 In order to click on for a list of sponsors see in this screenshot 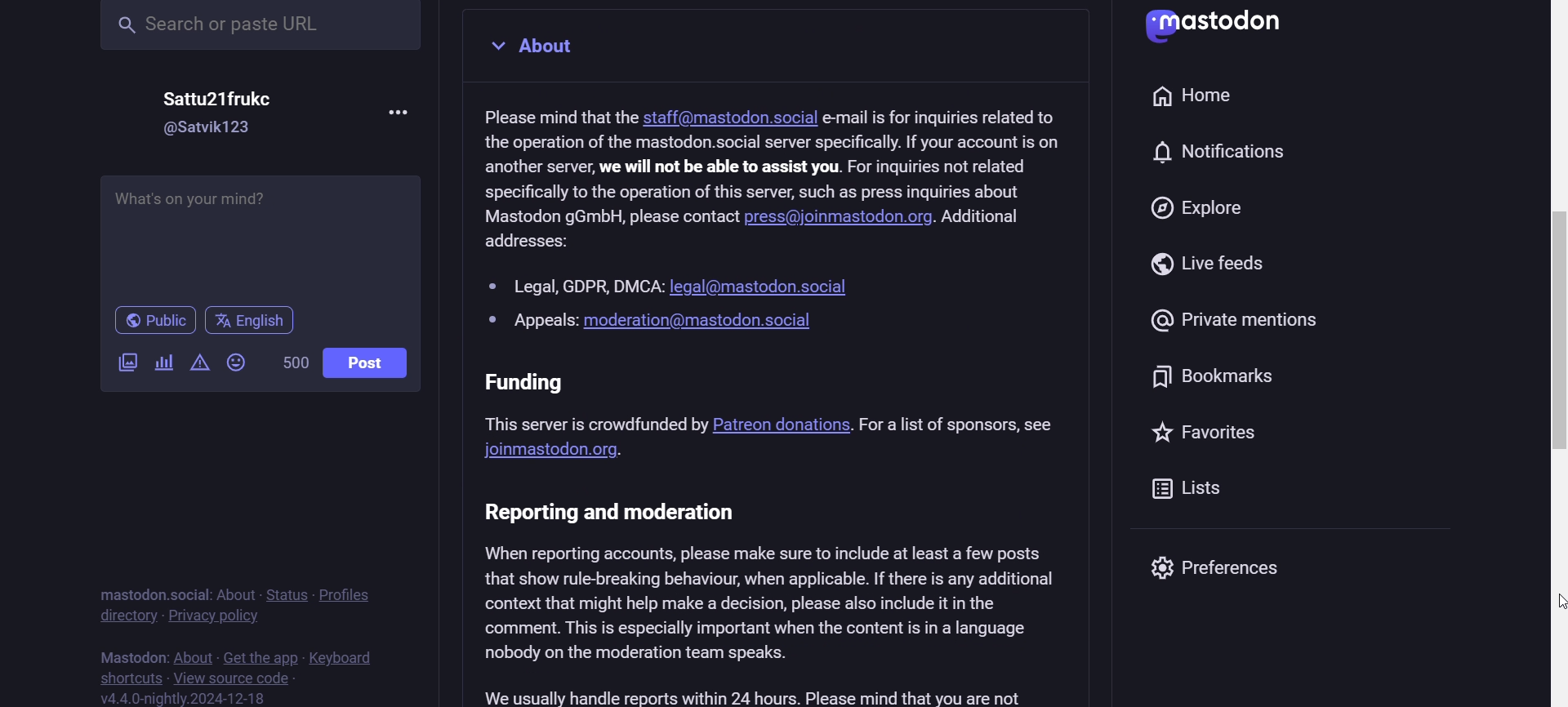, I will do `click(964, 425)`.